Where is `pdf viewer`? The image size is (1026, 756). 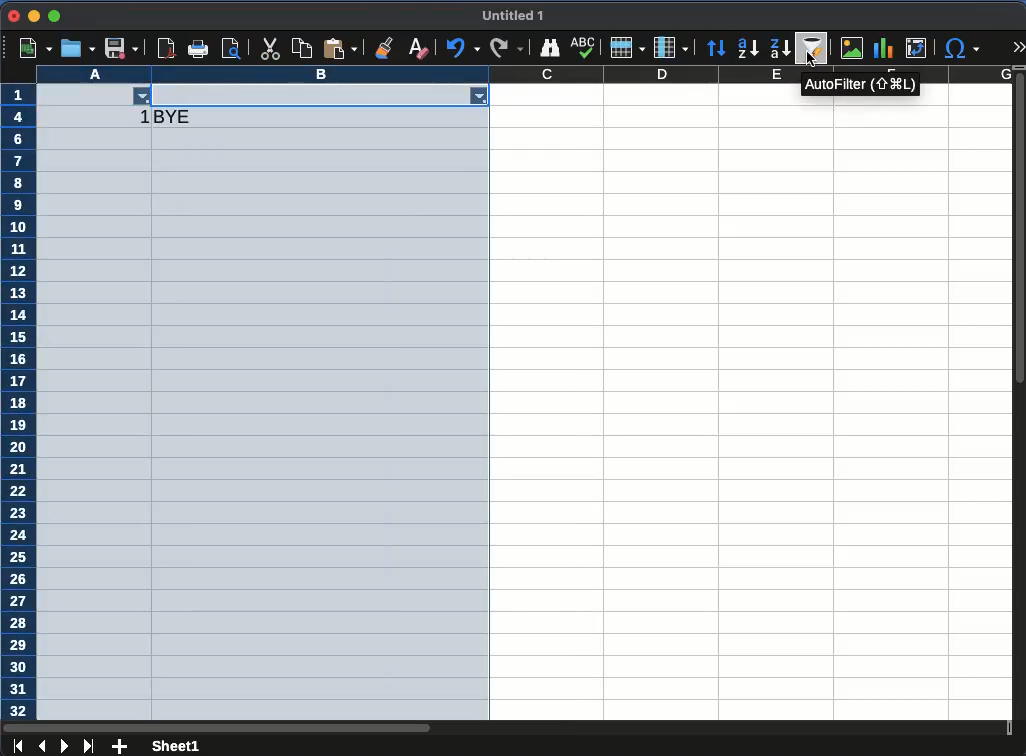 pdf viewer is located at coordinates (235, 49).